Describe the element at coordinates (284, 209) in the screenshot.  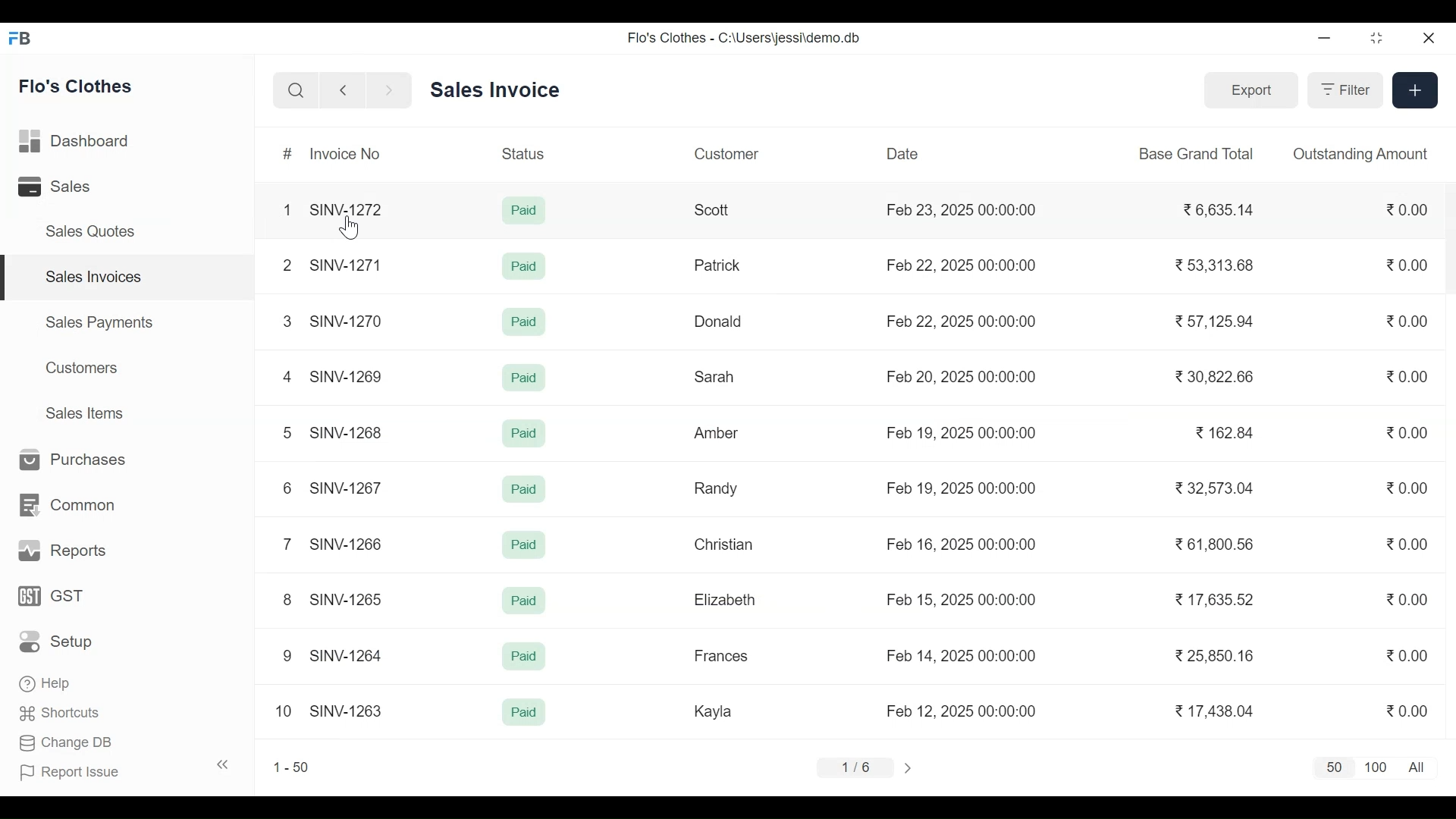
I see `1` at that location.